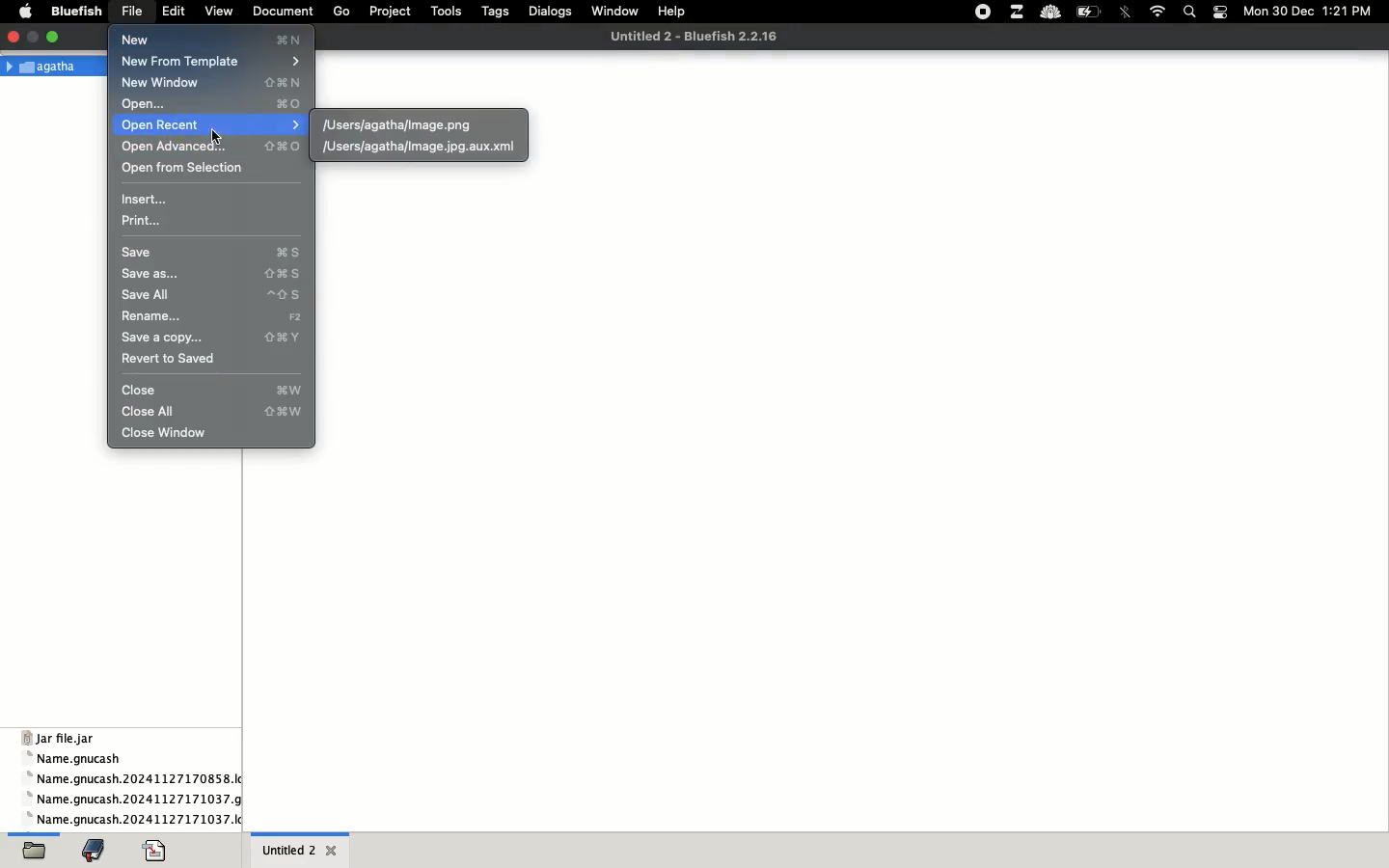 The width and height of the screenshot is (1389, 868). What do you see at coordinates (212, 338) in the screenshot?
I see `save a copy` at bounding box center [212, 338].